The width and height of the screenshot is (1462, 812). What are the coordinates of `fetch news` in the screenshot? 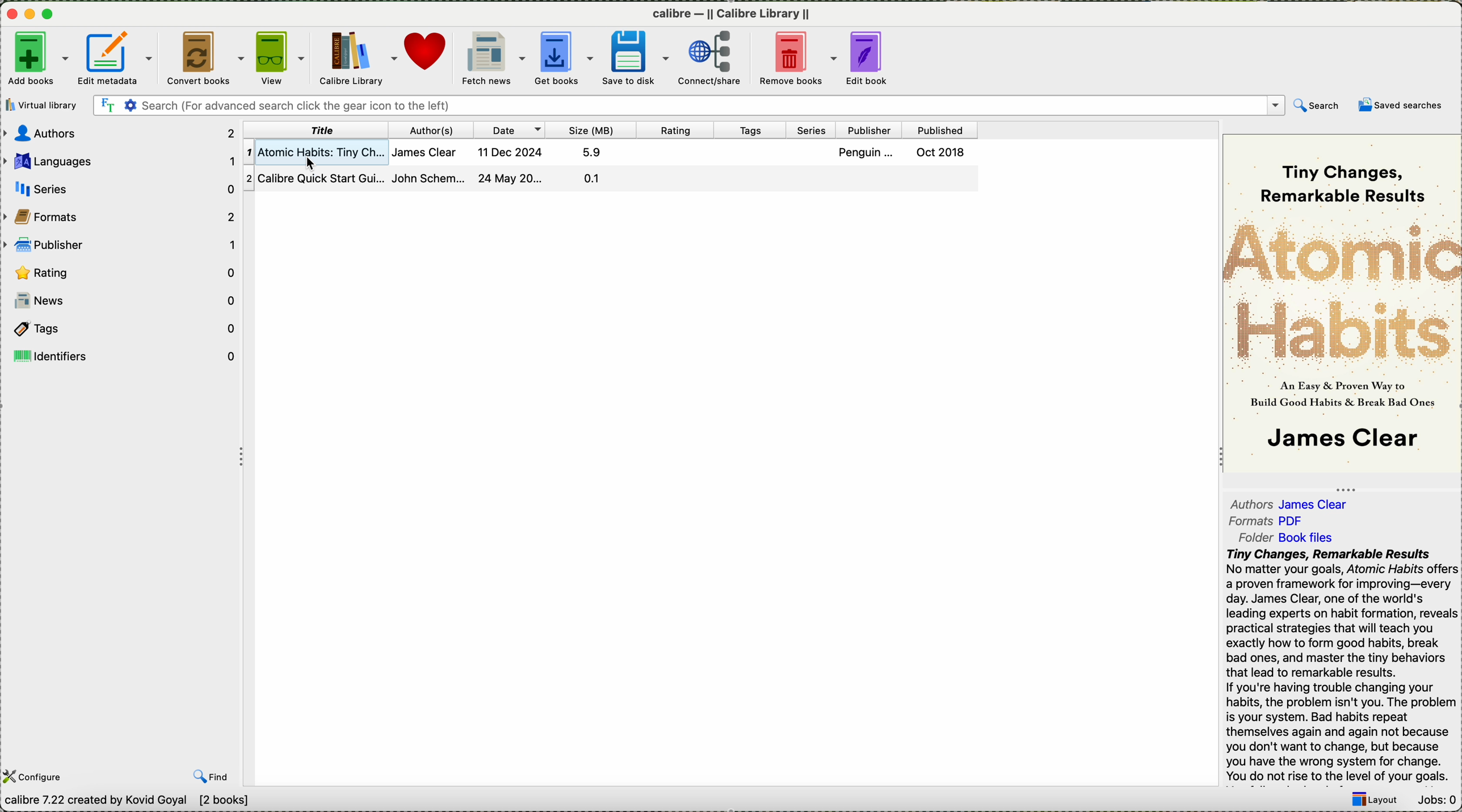 It's located at (494, 58).